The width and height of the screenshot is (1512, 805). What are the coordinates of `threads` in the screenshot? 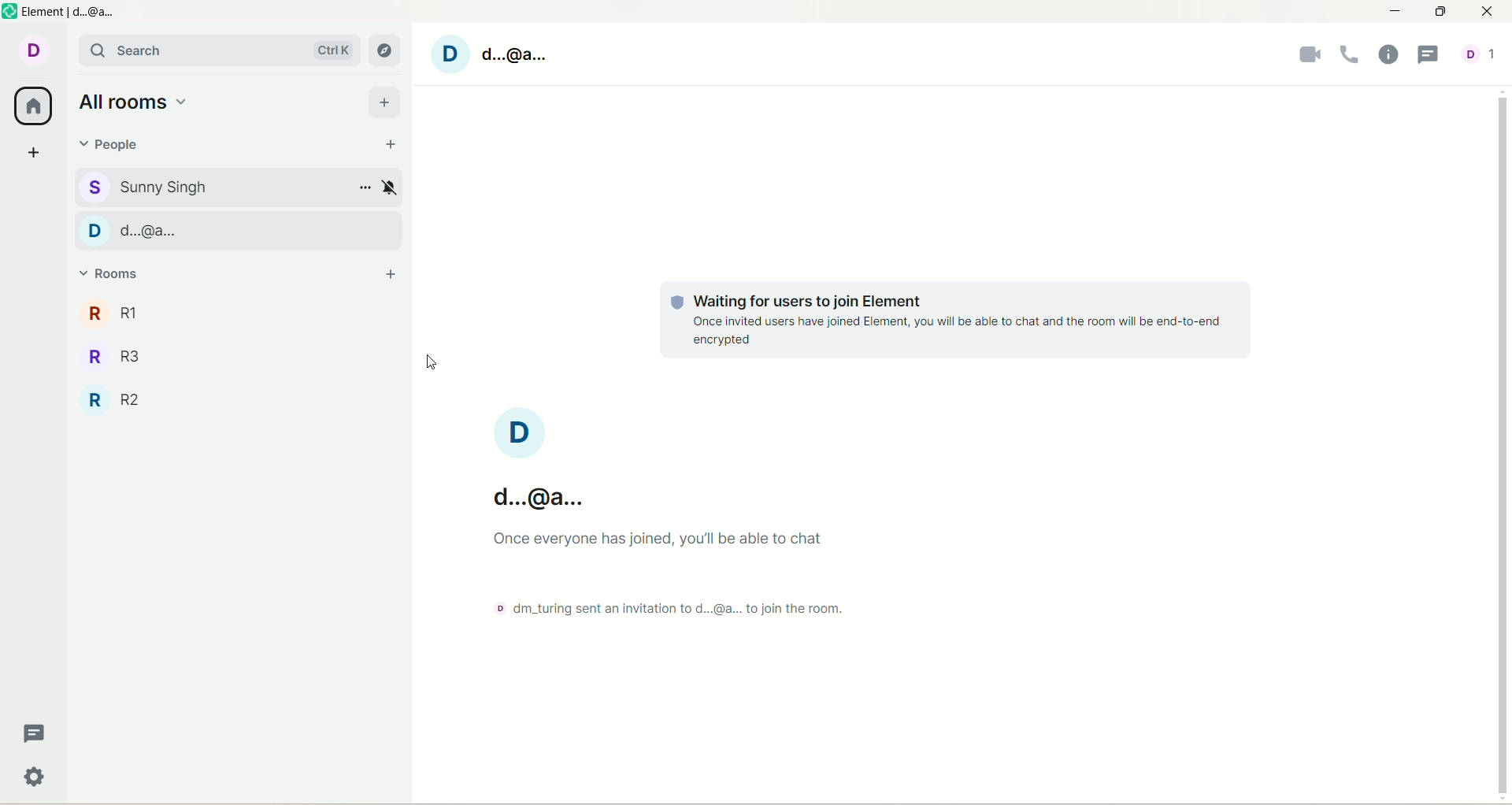 It's located at (1428, 54).